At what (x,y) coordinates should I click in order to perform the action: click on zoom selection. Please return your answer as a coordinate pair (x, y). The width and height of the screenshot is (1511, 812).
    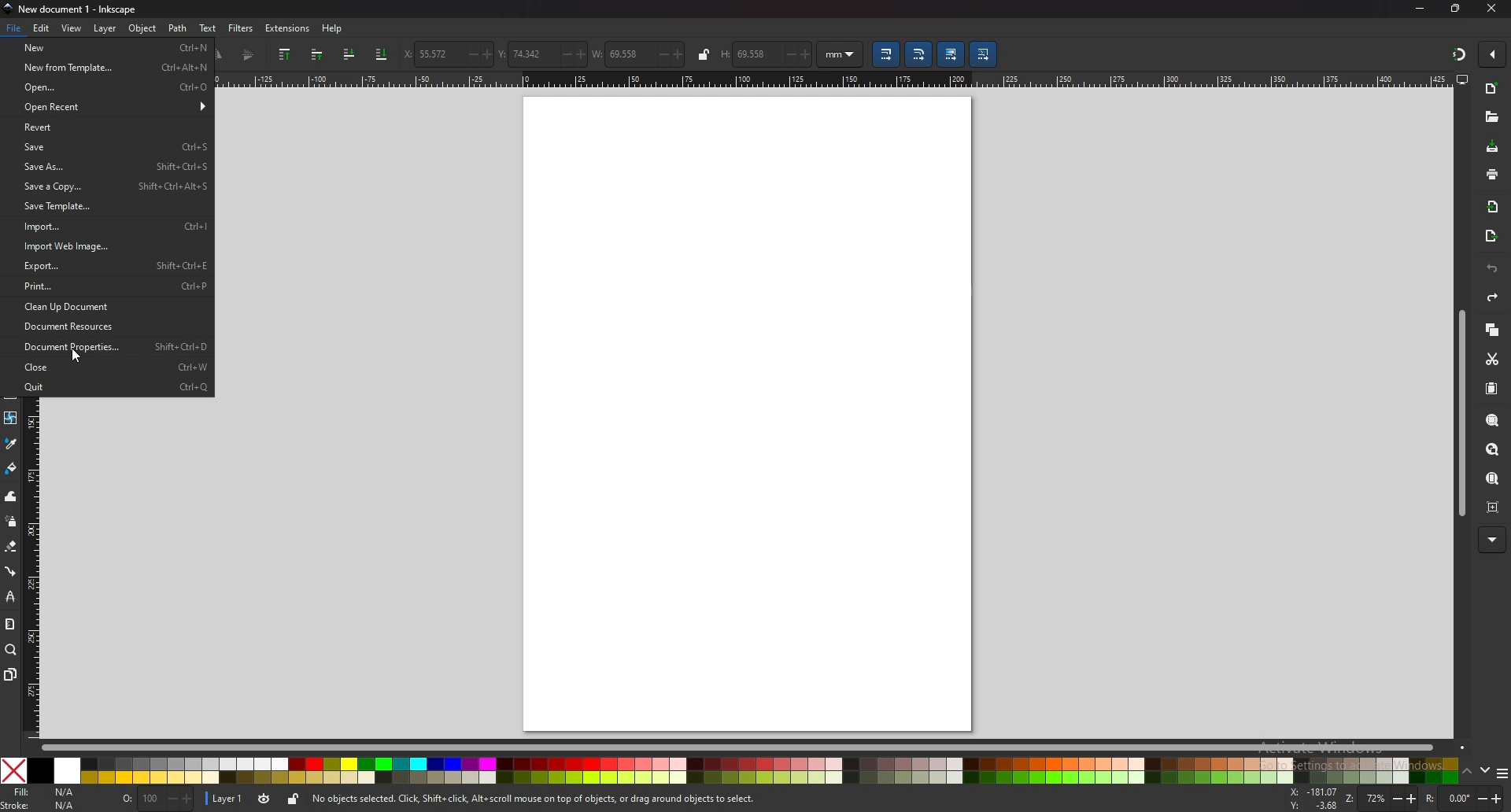
    Looking at the image, I should click on (1492, 420).